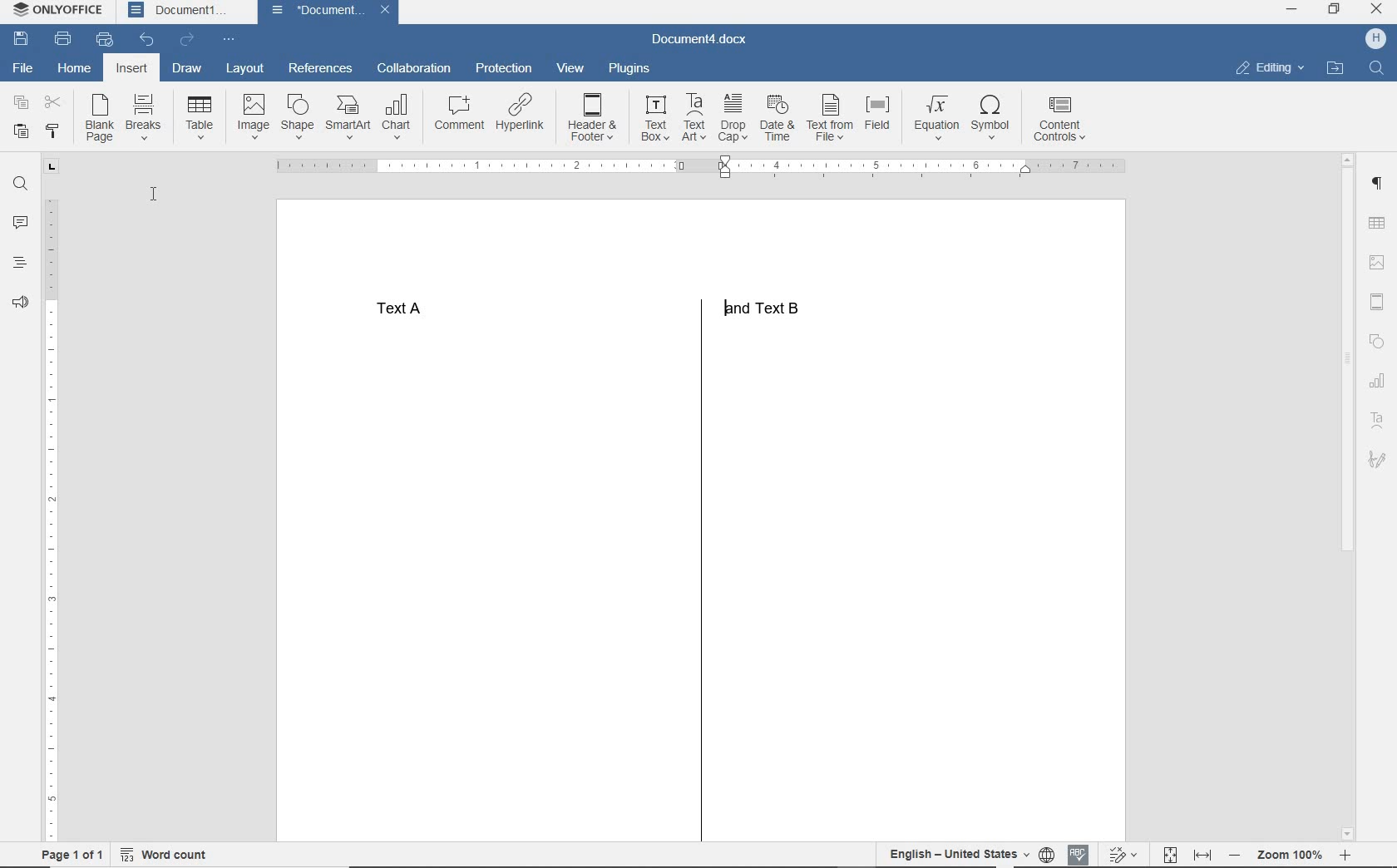  Describe the element at coordinates (66, 855) in the screenshot. I see `PAGE 1 OF 1` at that location.